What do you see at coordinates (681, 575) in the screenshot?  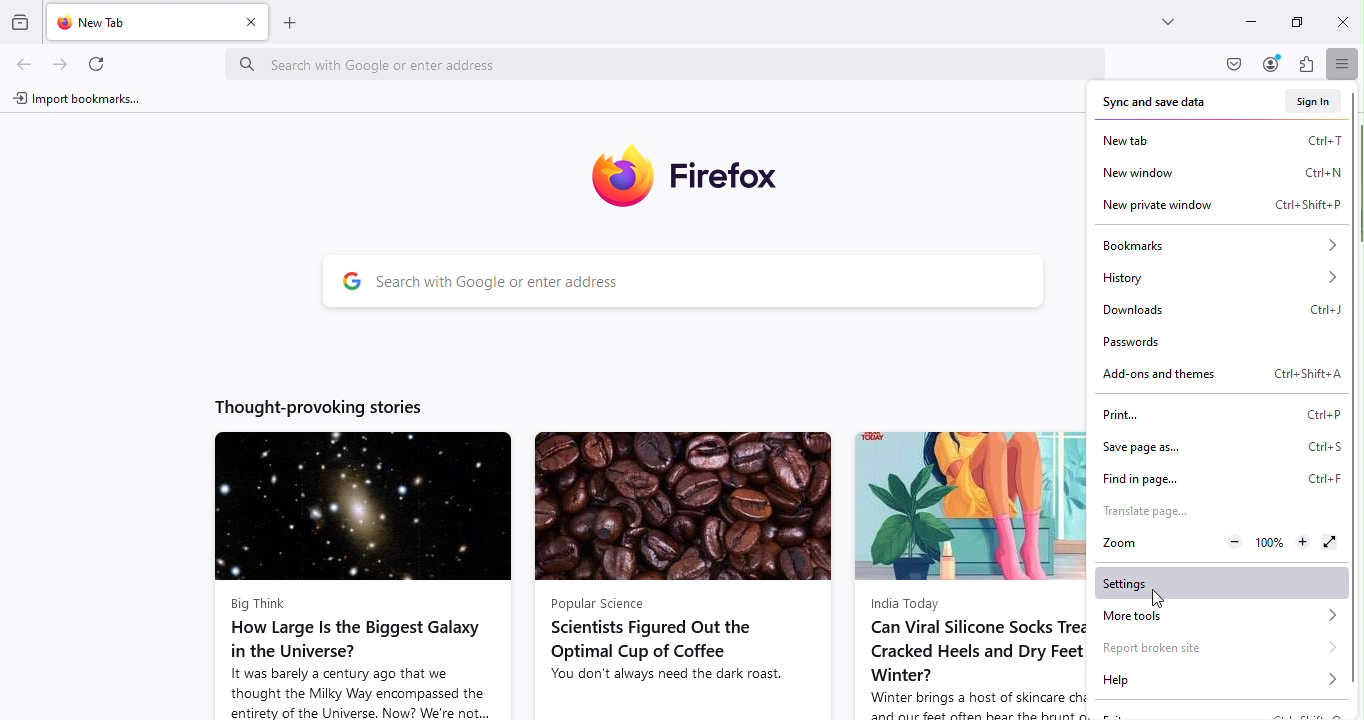 I see `news article by popular science` at bounding box center [681, 575].